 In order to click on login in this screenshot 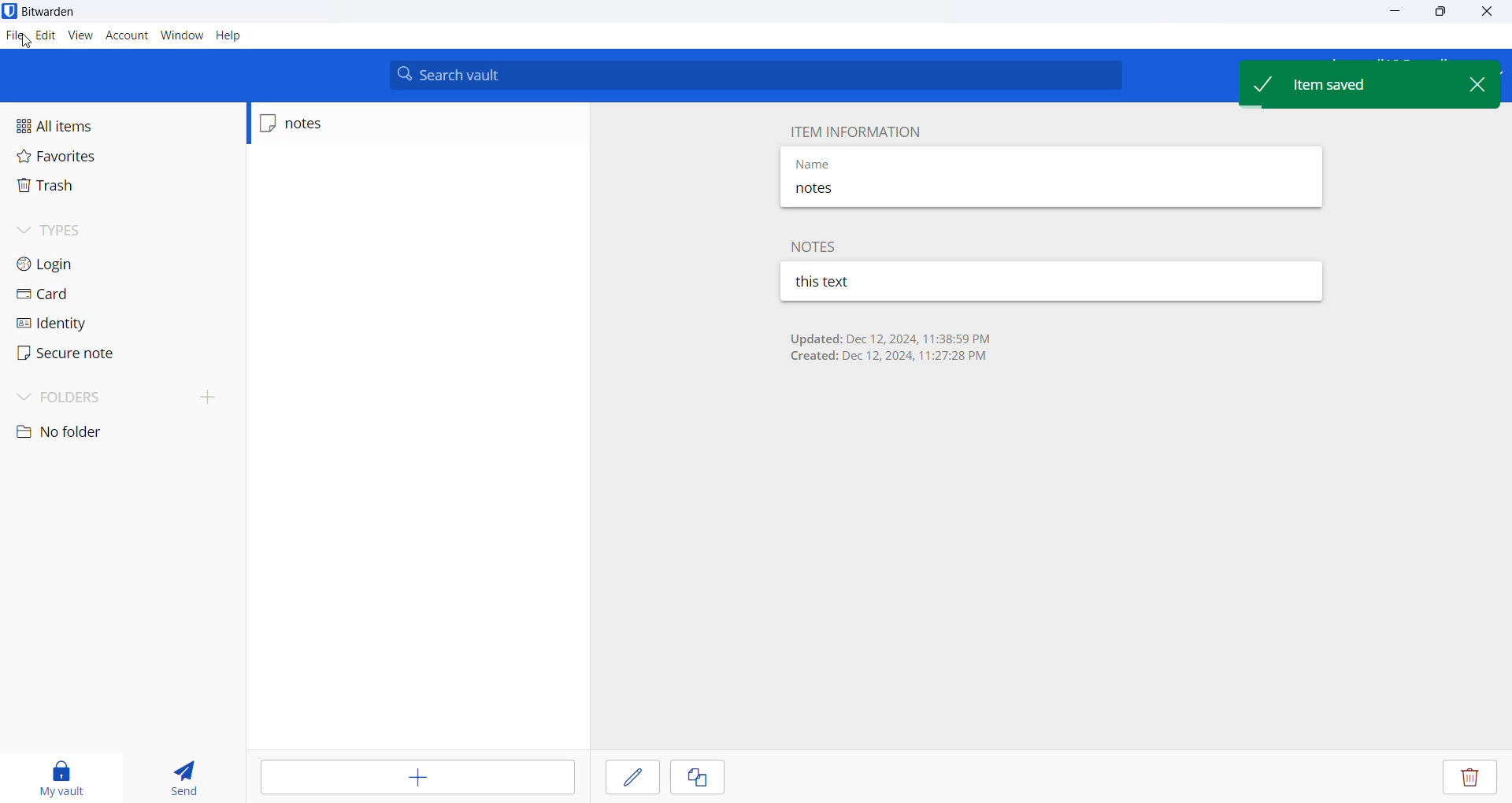, I will do `click(80, 263)`.